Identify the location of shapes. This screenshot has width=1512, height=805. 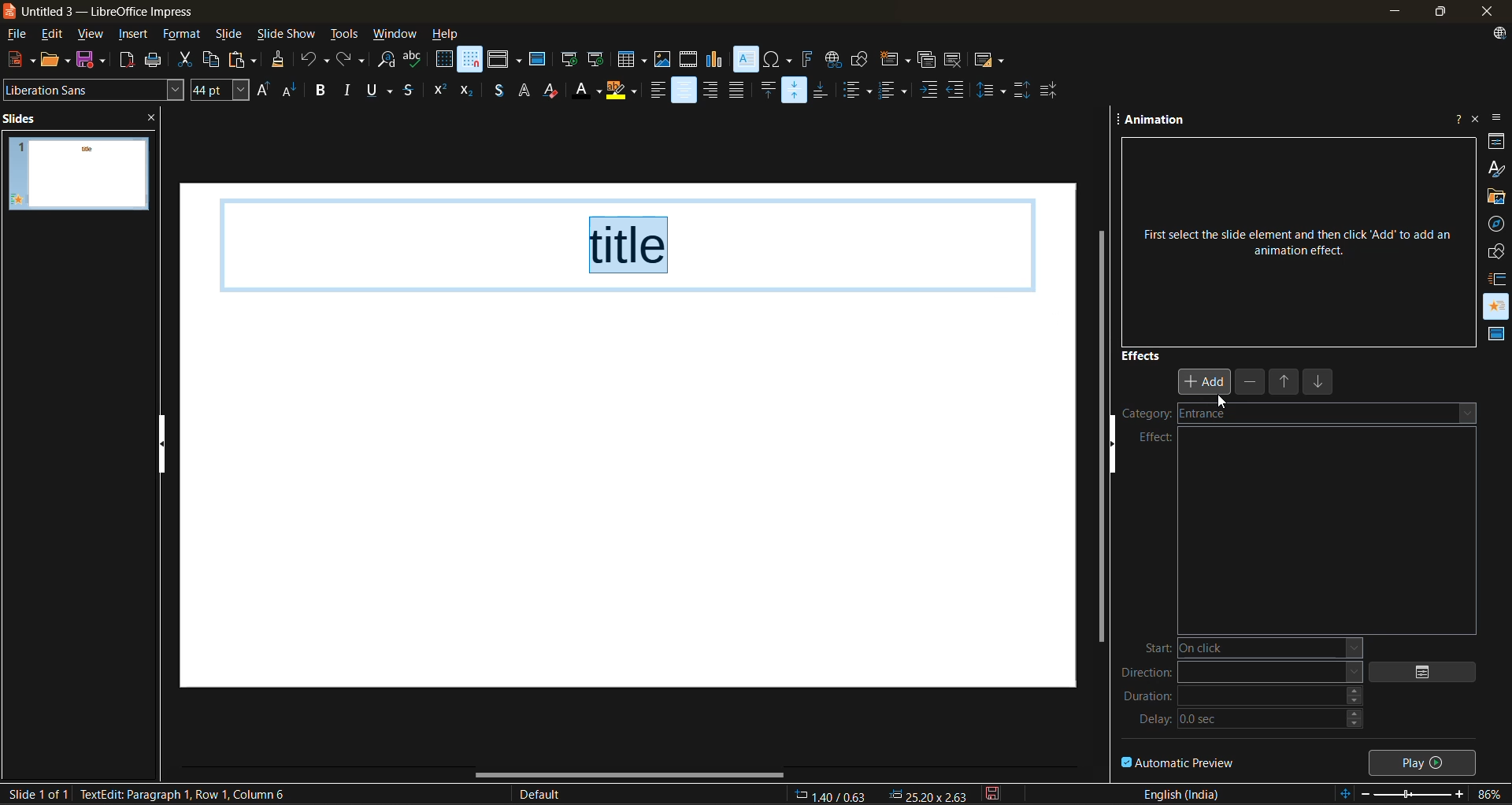
(1498, 251).